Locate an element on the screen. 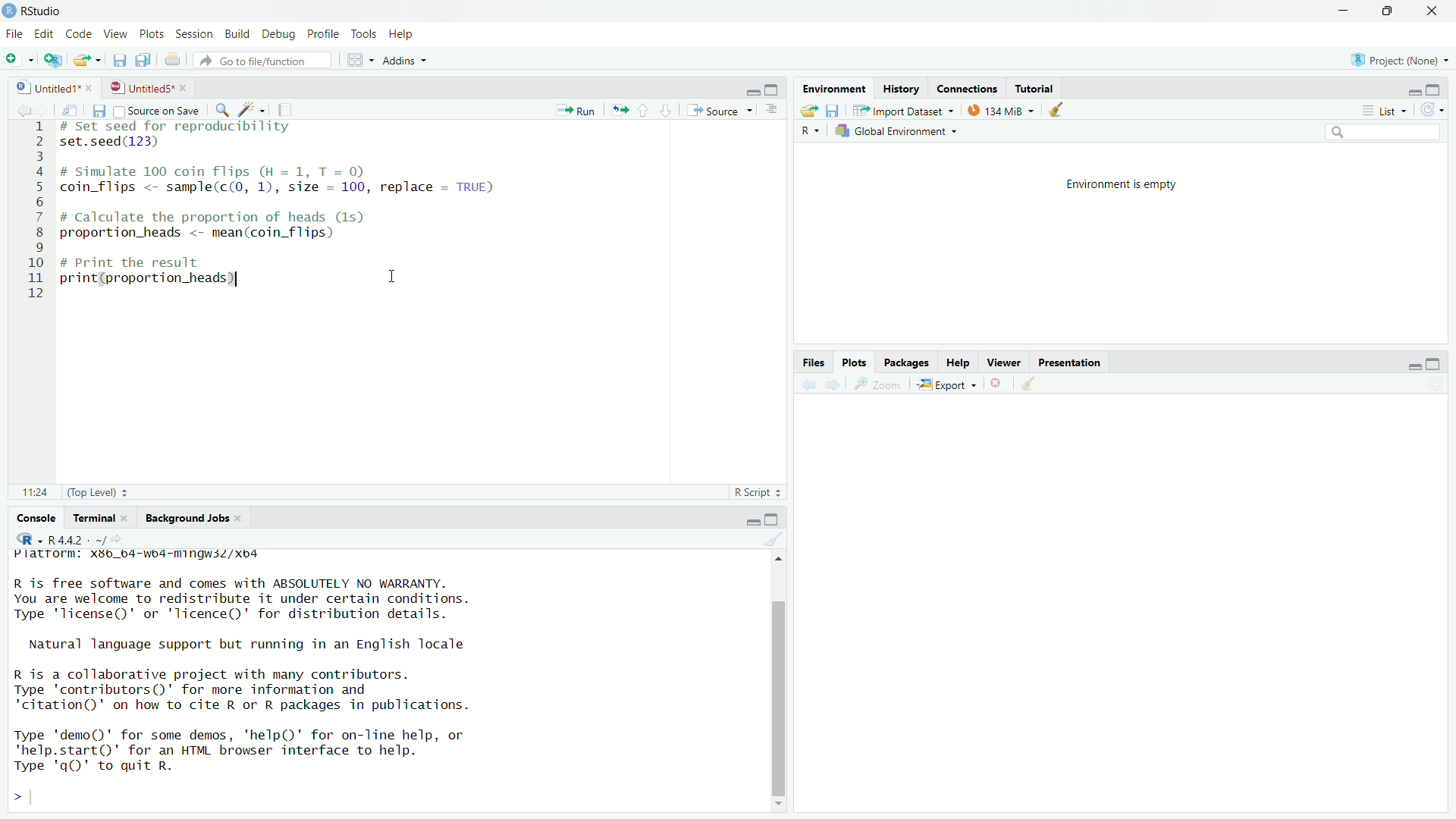  view a larger version of the plot in new window is located at coordinates (883, 387).